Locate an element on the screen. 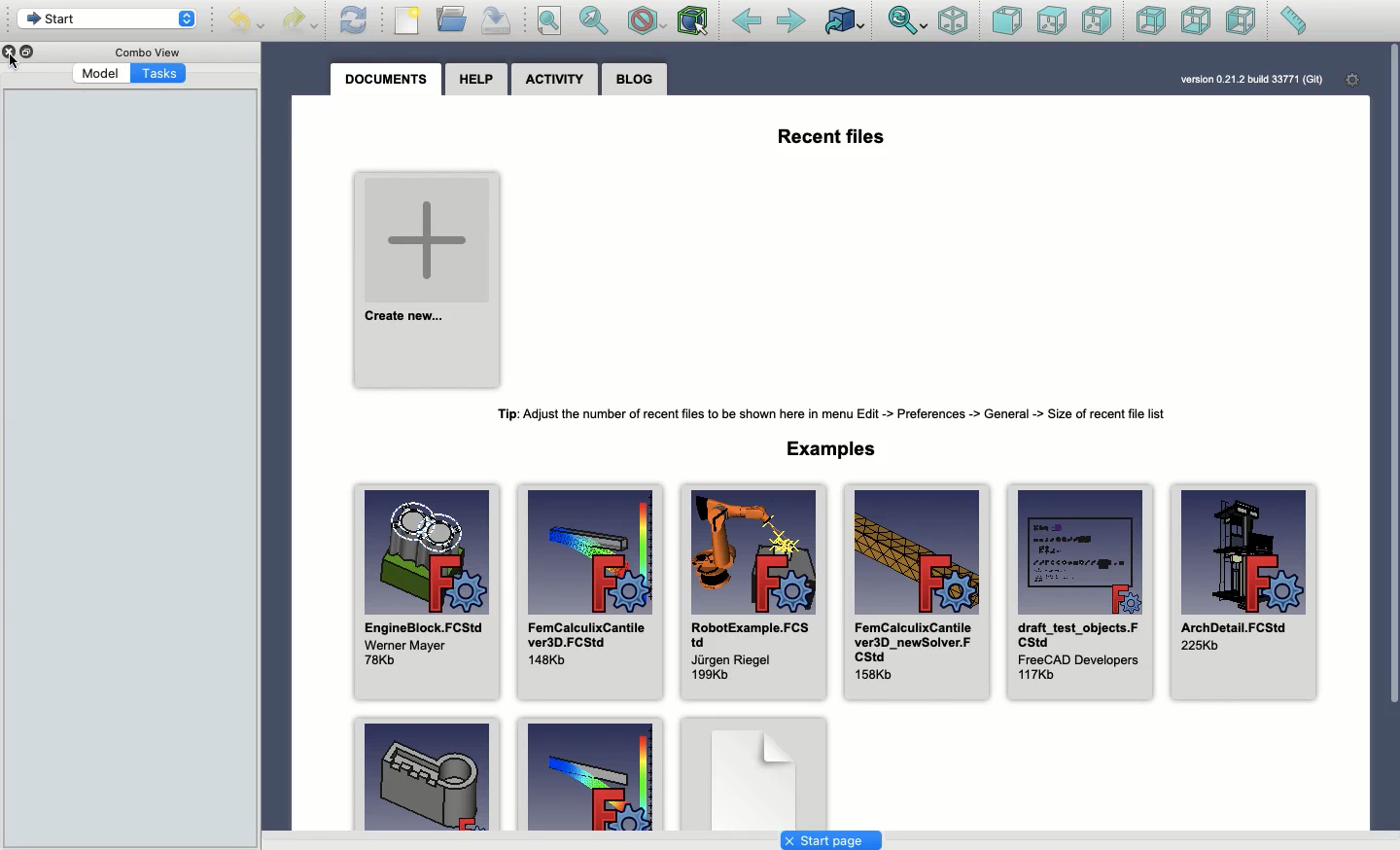 This screenshot has height=850, width=1400. Undo is located at coordinates (247, 19).